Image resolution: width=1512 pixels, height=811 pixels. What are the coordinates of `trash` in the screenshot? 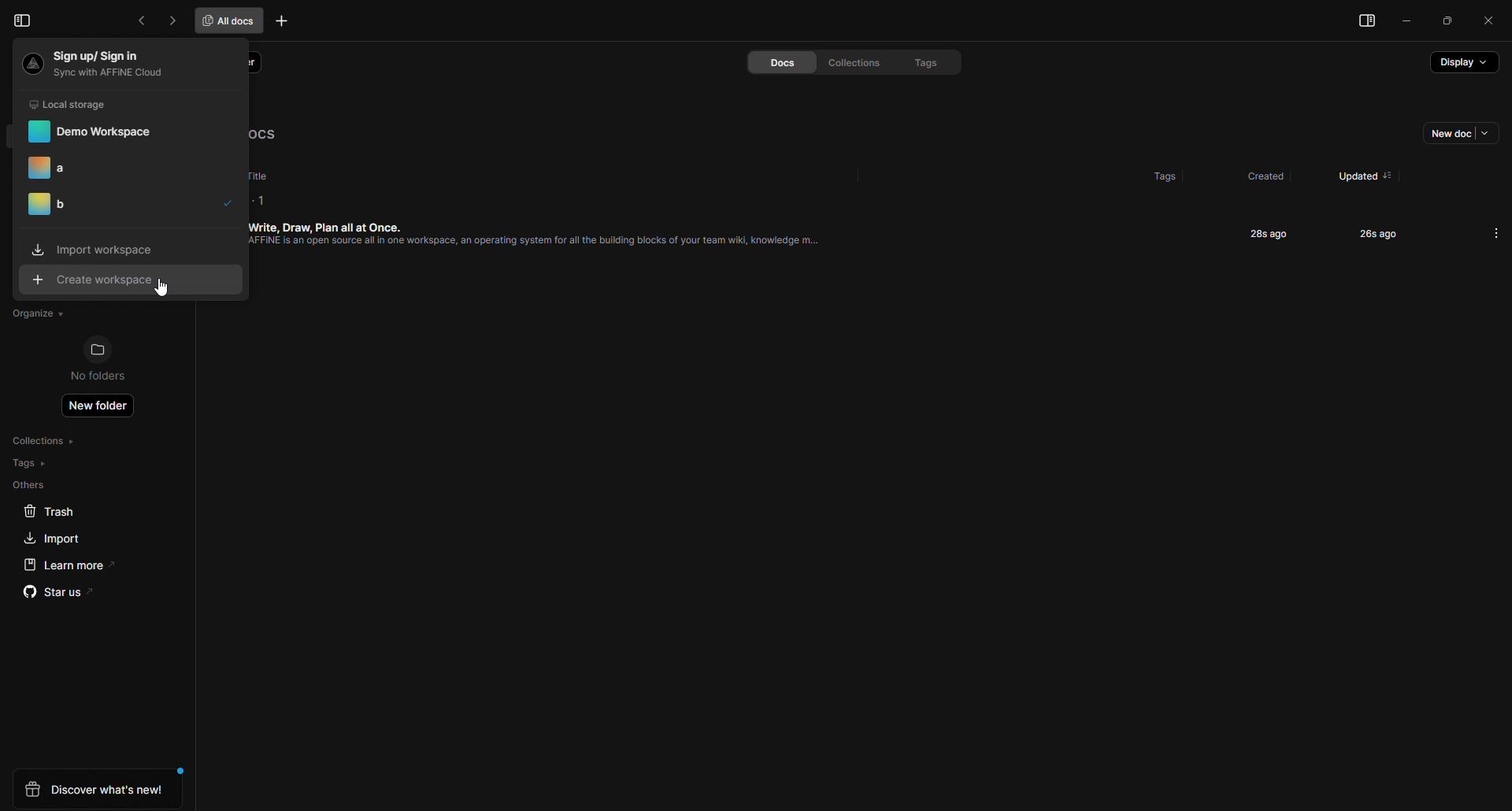 It's located at (50, 512).